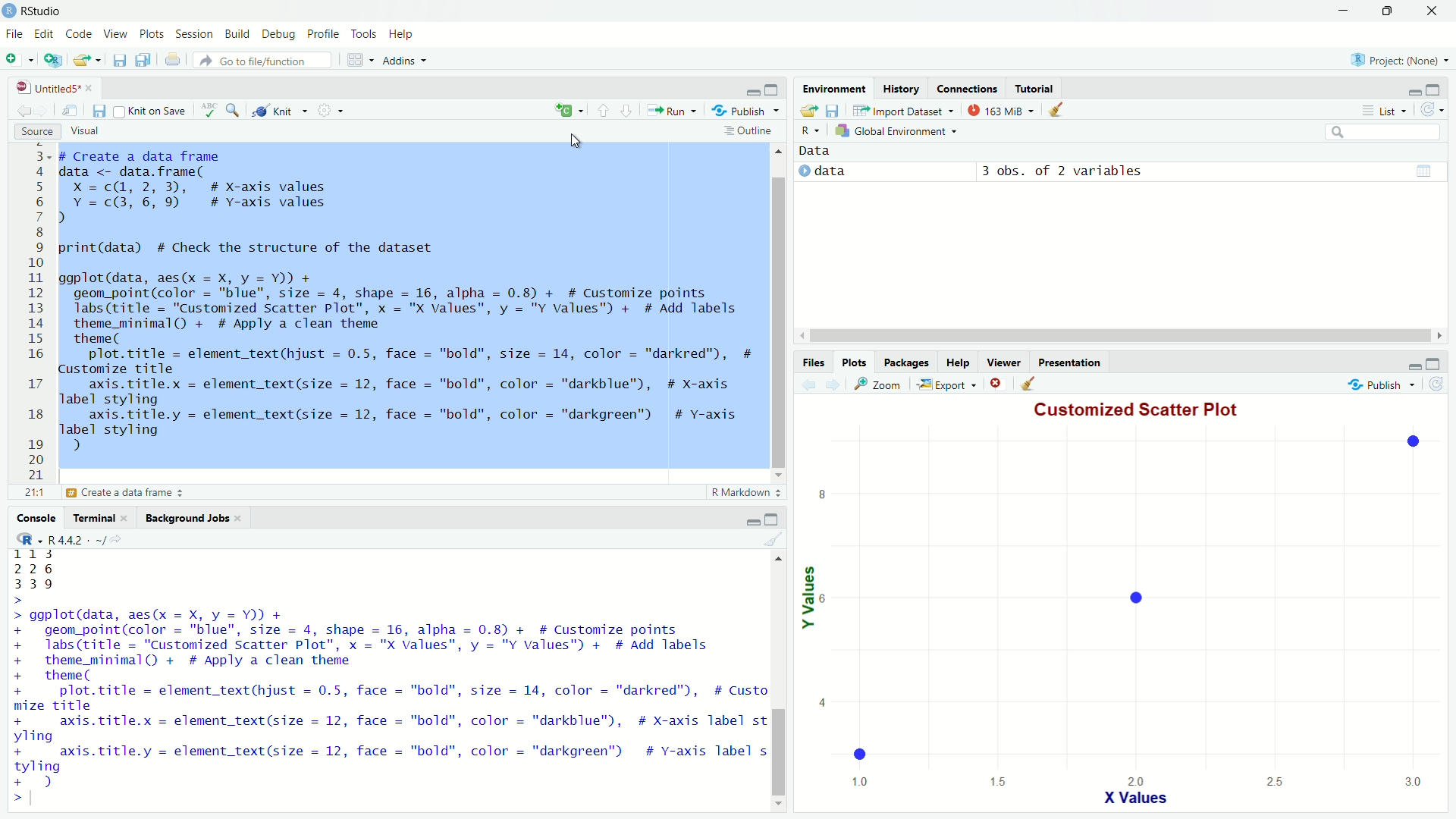 This screenshot has height=819, width=1456. What do you see at coordinates (942, 384) in the screenshot?
I see `Export ` at bounding box center [942, 384].